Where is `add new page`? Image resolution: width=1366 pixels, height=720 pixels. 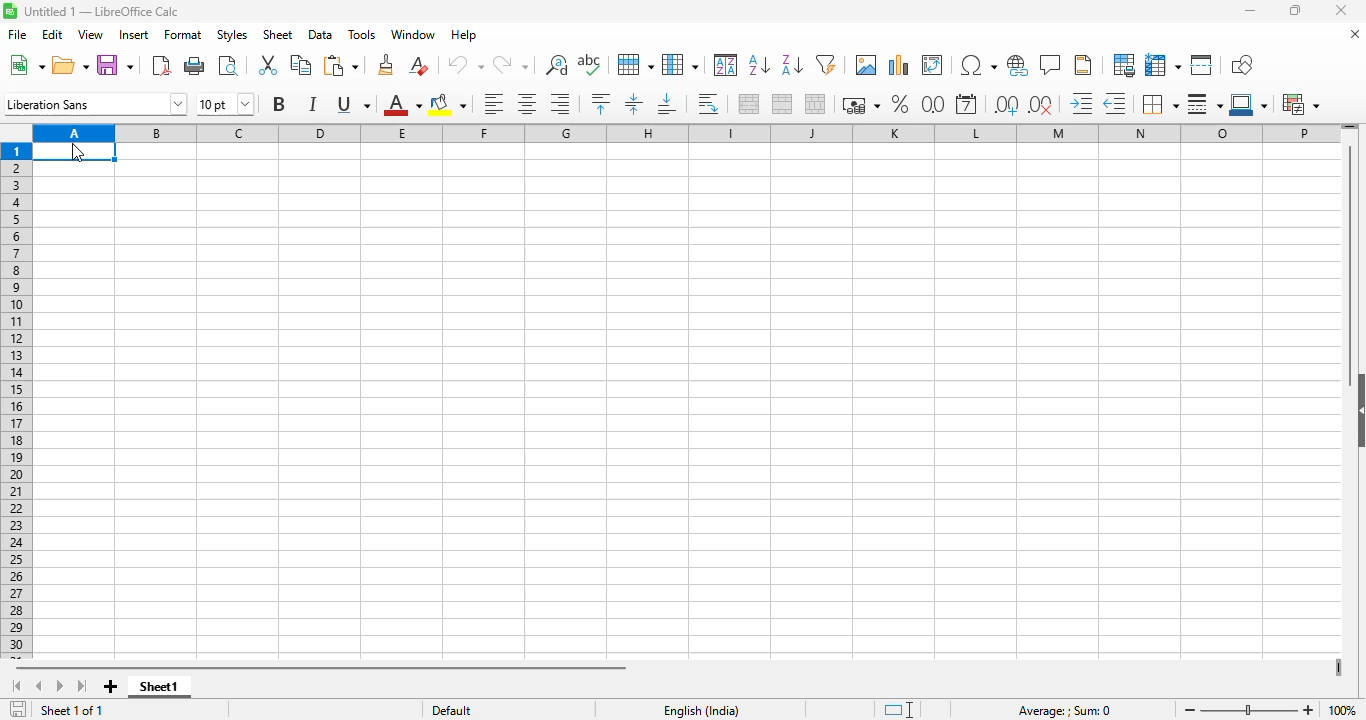 add new page is located at coordinates (111, 687).